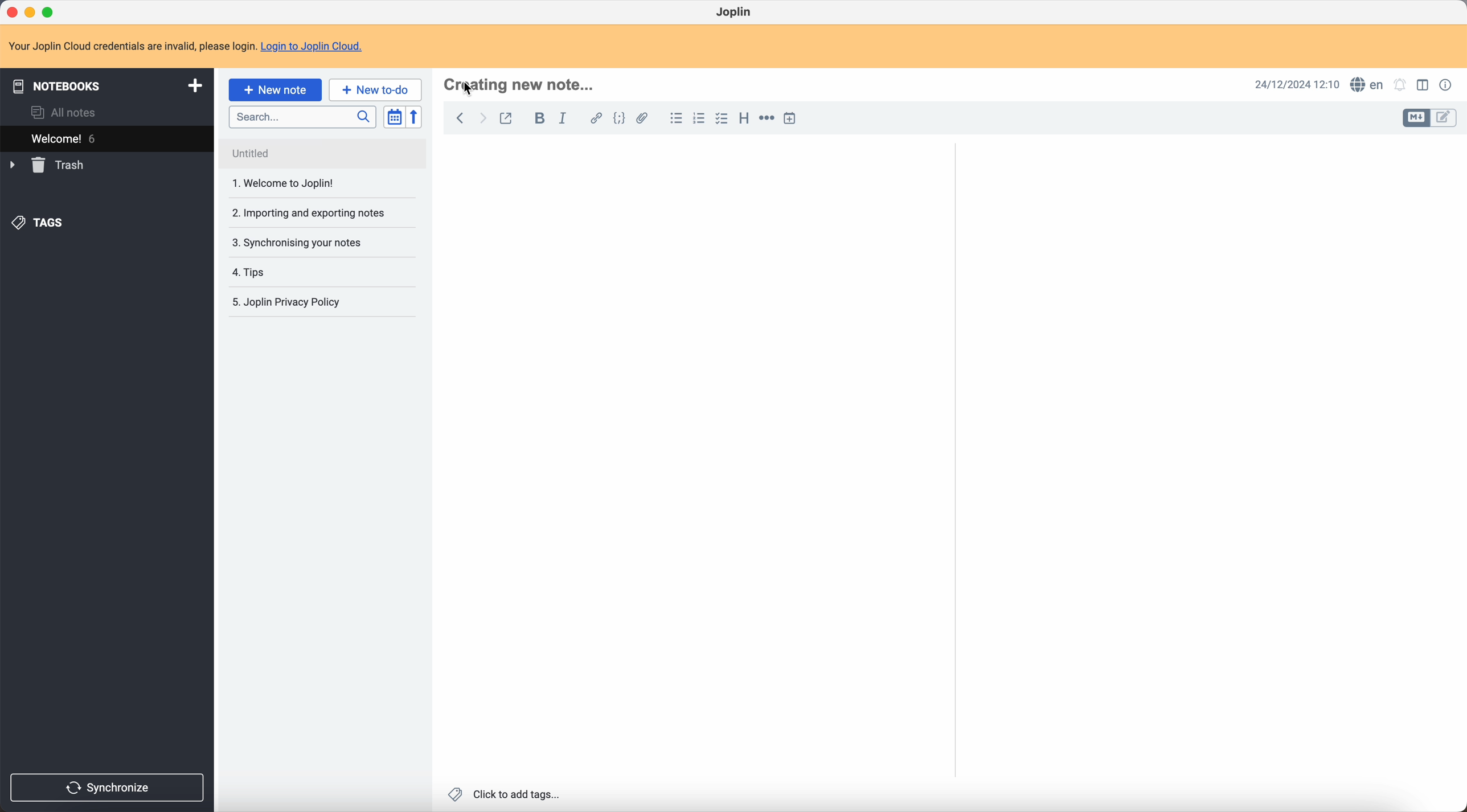 The image size is (1467, 812). Describe the element at coordinates (32, 13) in the screenshot. I see `minimize` at that location.